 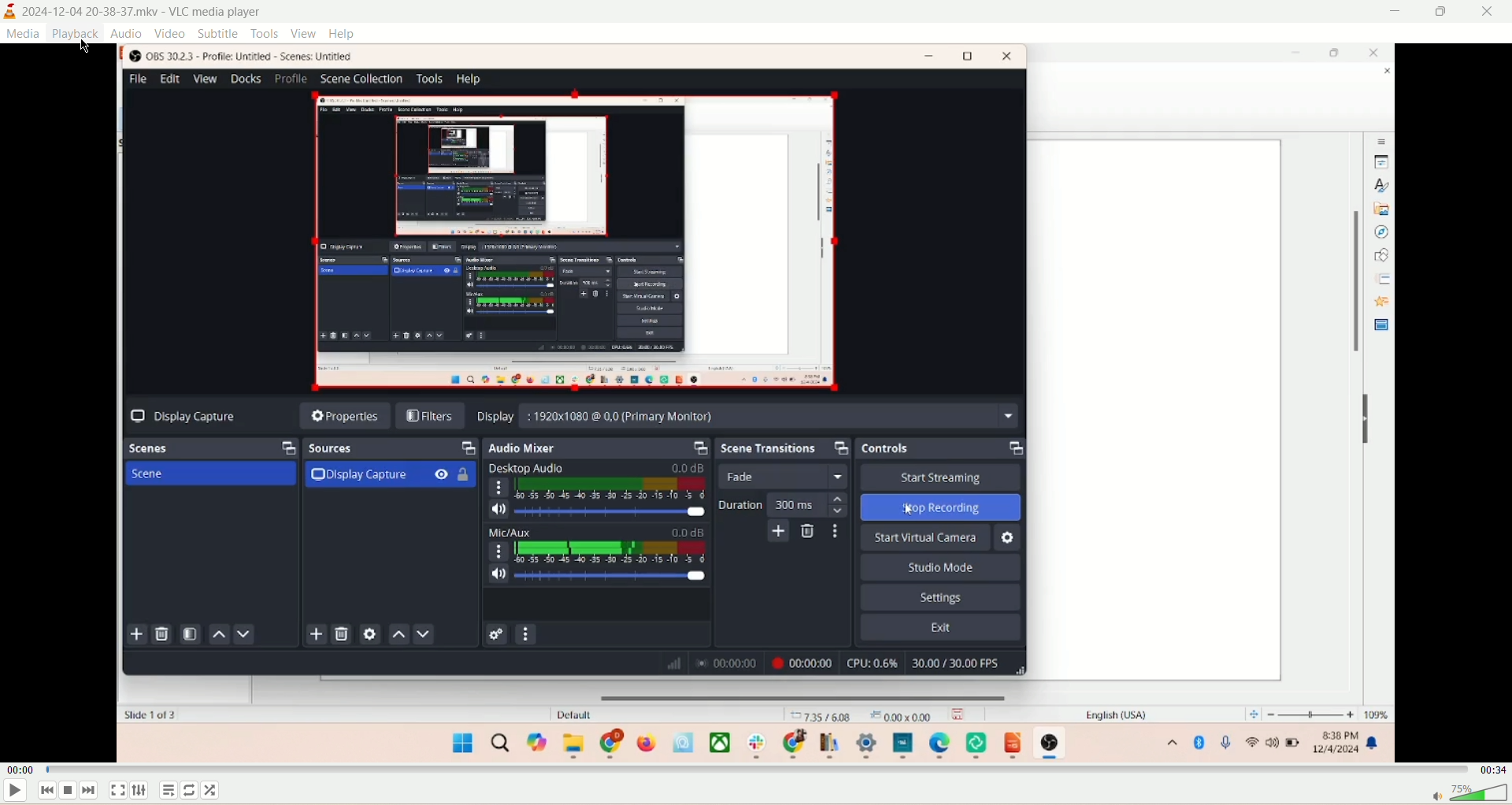 What do you see at coordinates (88, 43) in the screenshot?
I see `cursor` at bounding box center [88, 43].